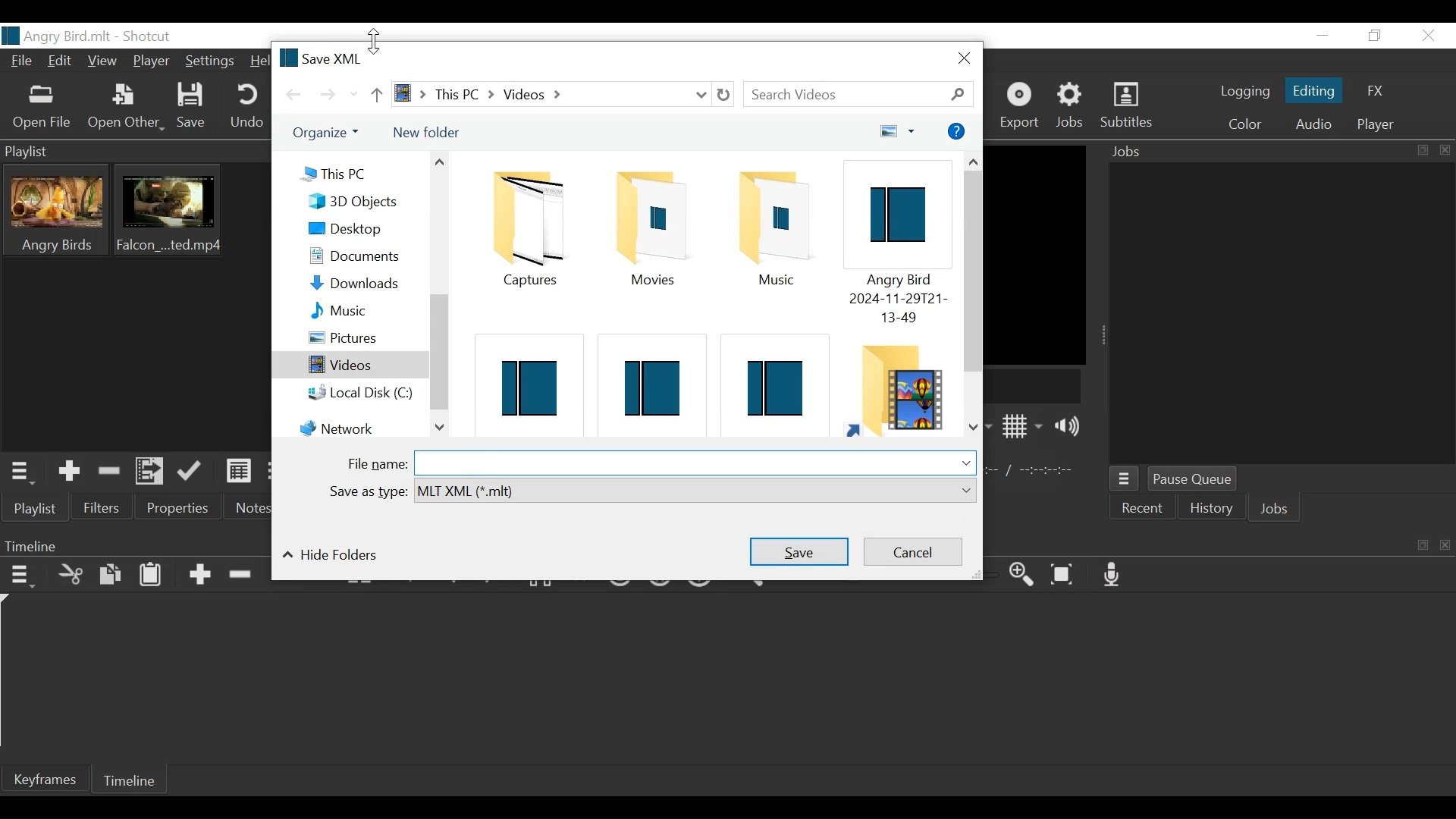  I want to click on Jobs menu, so click(1125, 479).